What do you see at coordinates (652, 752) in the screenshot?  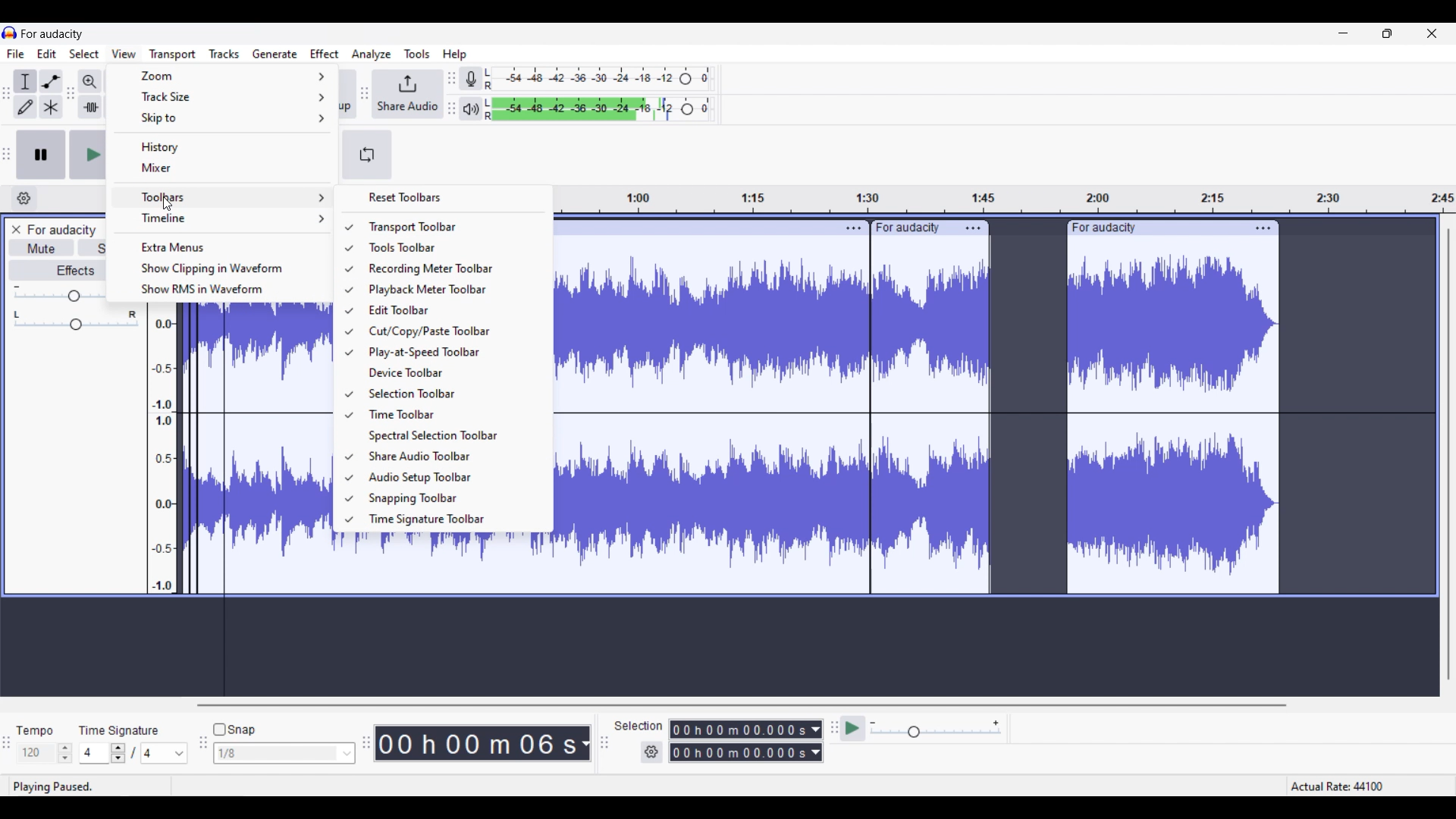 I see `Selection settings` at bounding box center [652, 752].